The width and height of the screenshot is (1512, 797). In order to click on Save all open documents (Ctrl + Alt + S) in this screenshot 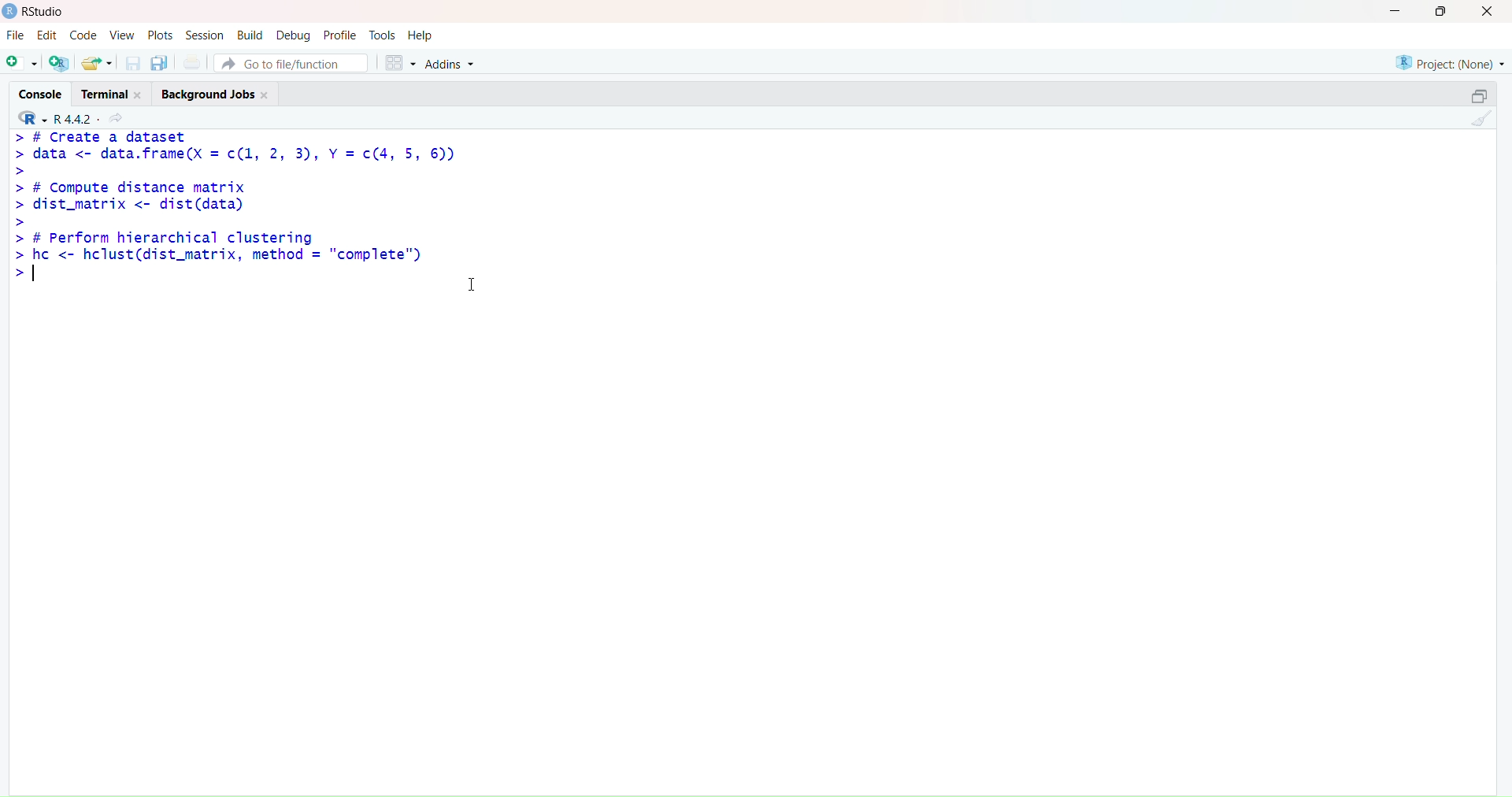, I will do `click(161, 61)`.